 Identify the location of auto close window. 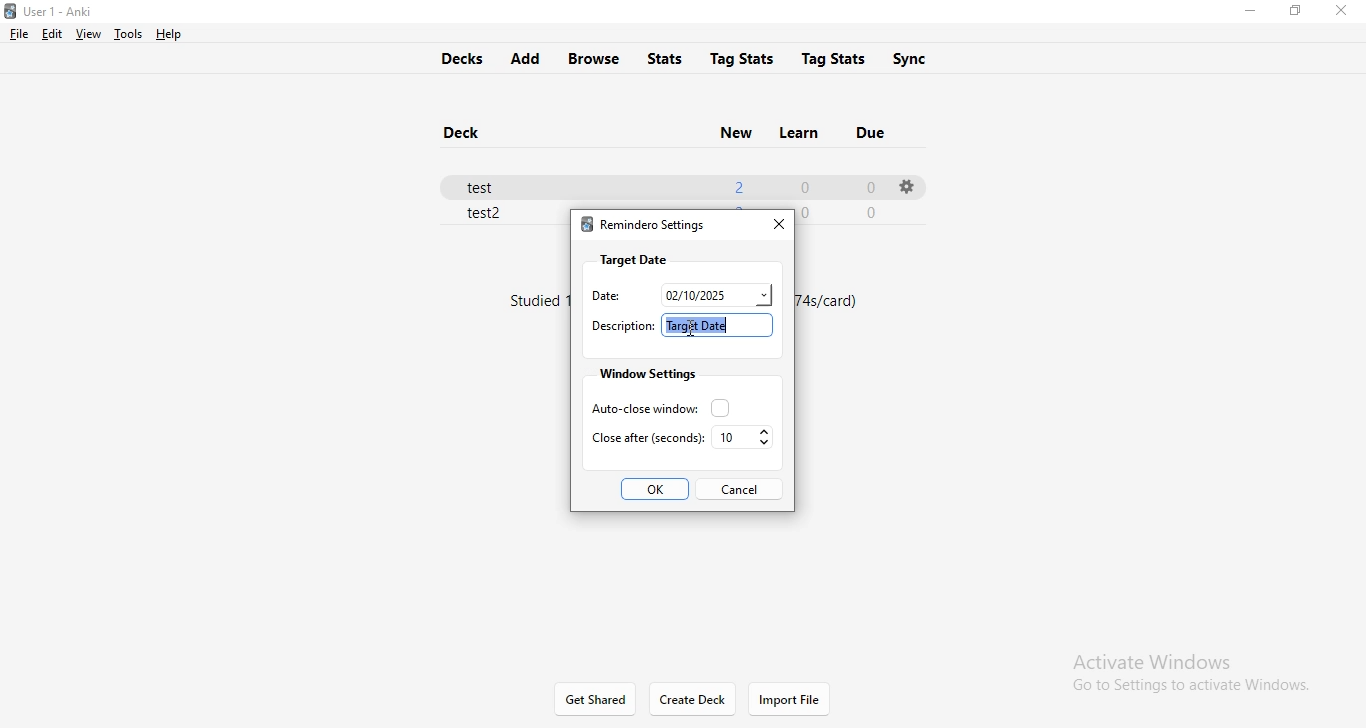
(655, 407).